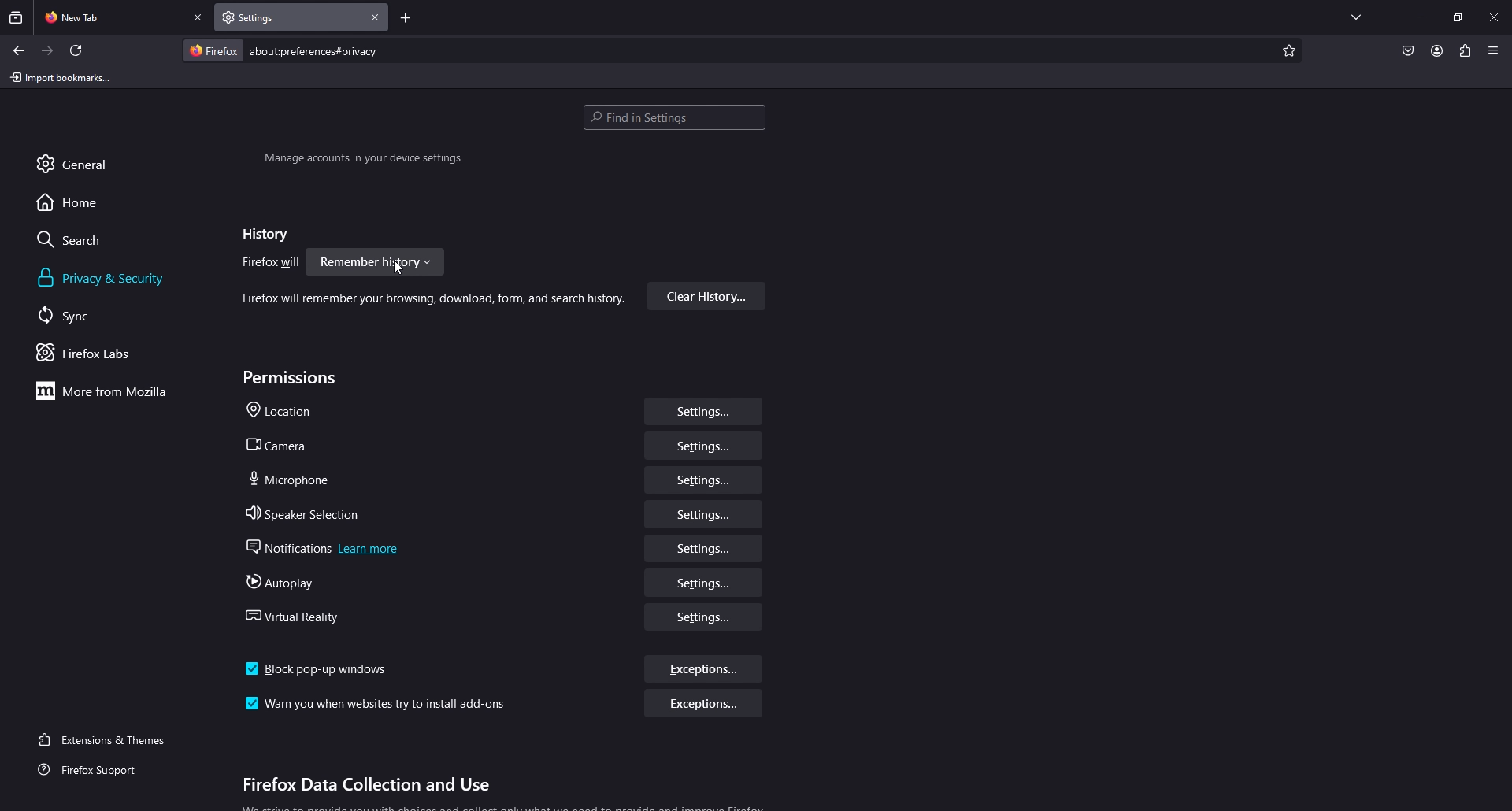 The width and height of the screenshot is (1512, 811). What do you see at coordinates (702, 480) in the screenshot?
I see `settings` at bounding box center [702, 480].